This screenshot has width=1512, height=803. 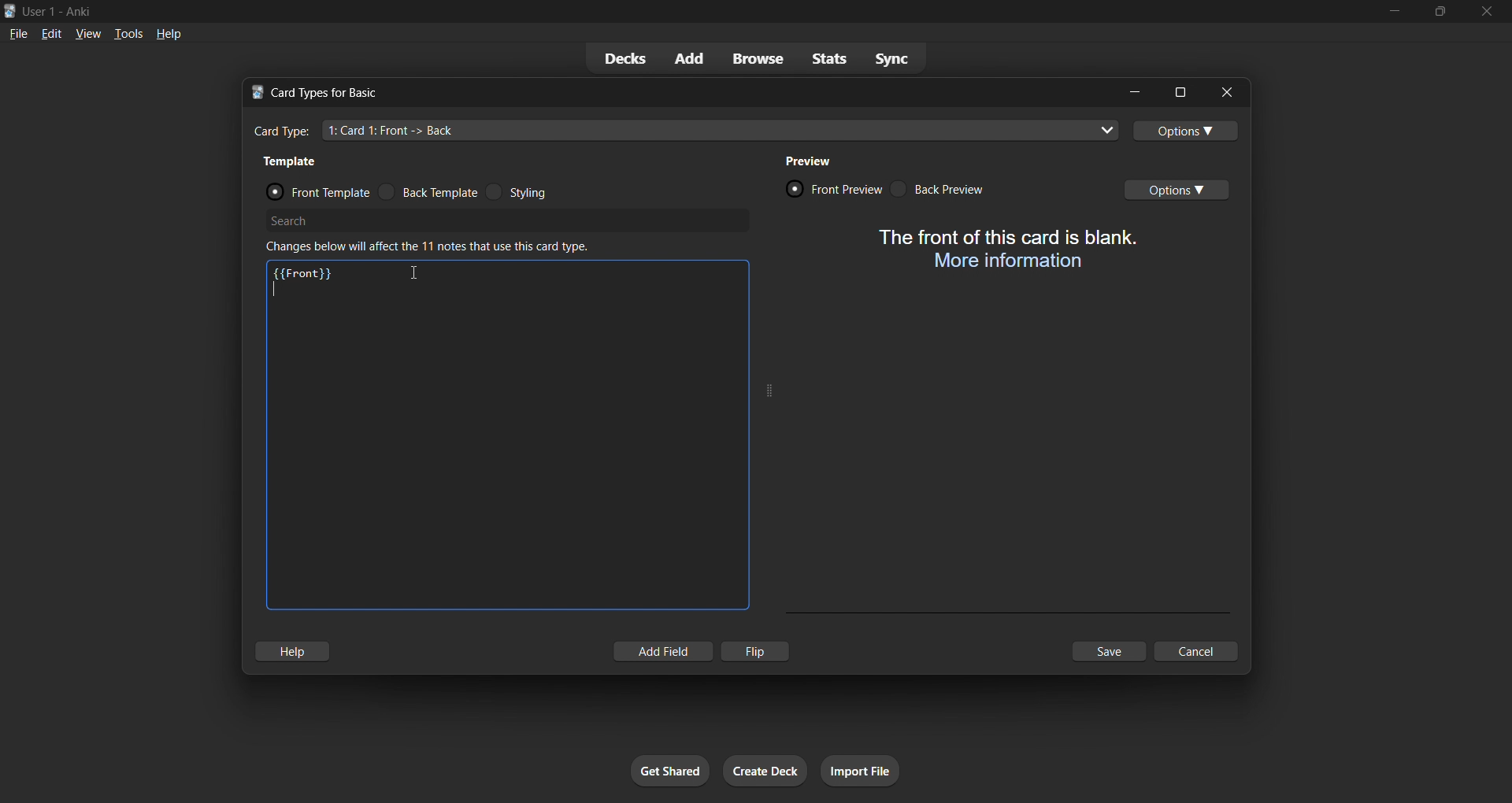 What do you see at coordinates (310, 187) in the screenshot?
I see `front template` at bounding box center [310, 187].